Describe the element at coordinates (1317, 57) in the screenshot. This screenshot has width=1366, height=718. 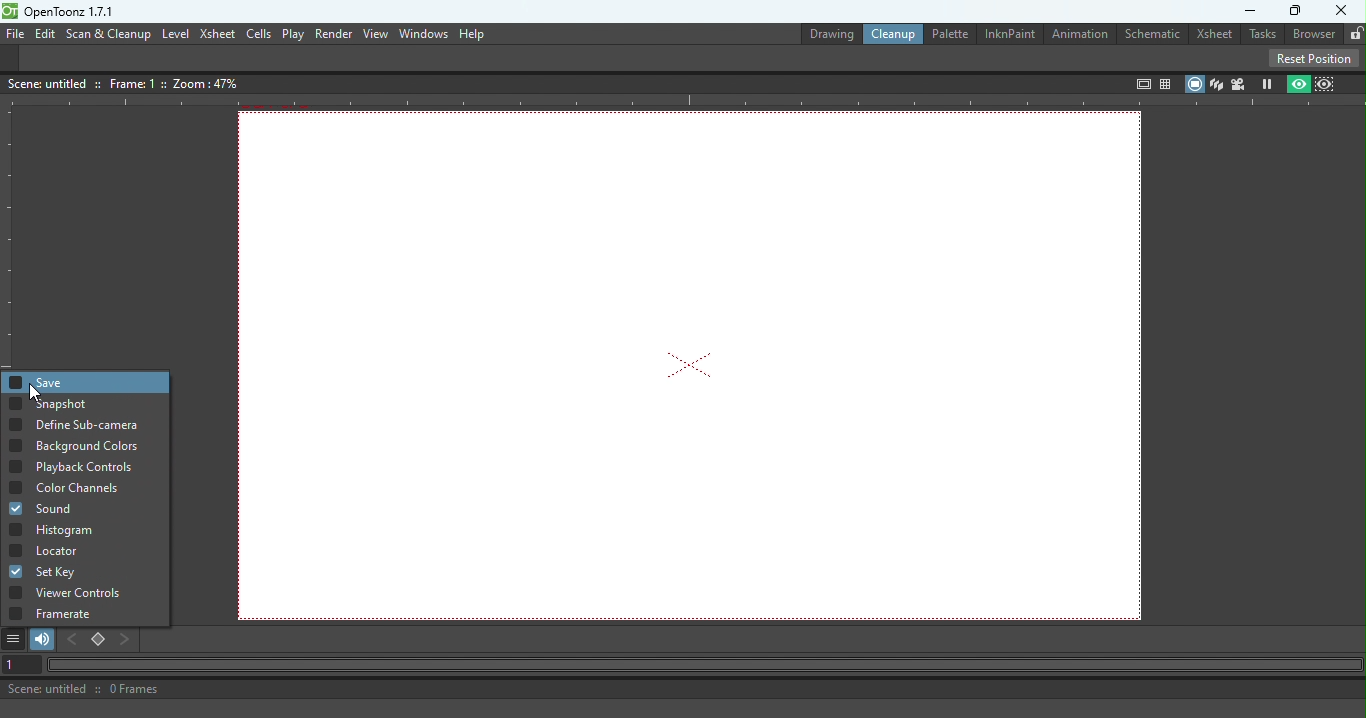
I see `Reset position` at that location.